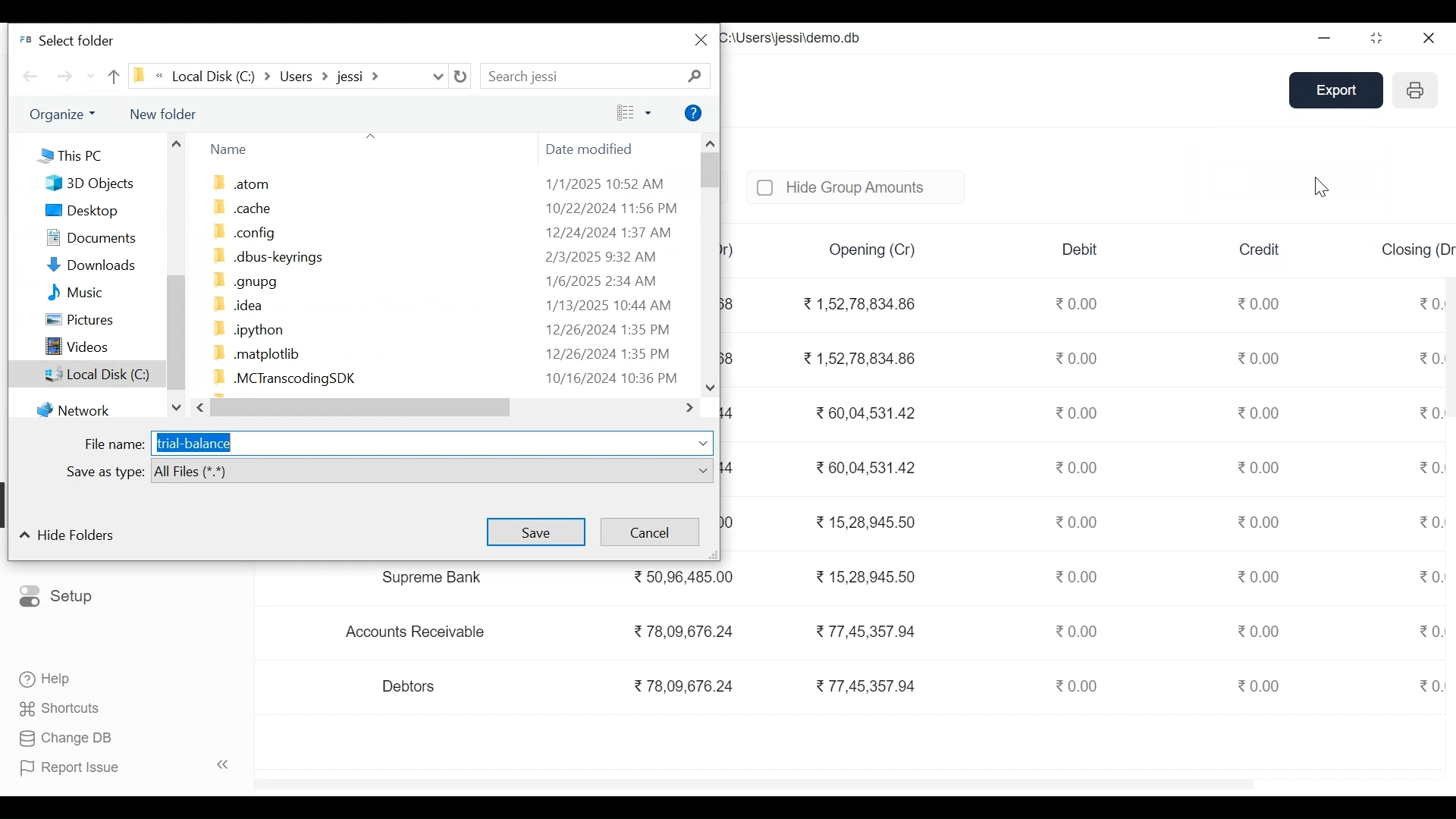 Image resolution: width=1456 pixels, height=819 pixels. I want to click on 0.00, so click(1430, 467).